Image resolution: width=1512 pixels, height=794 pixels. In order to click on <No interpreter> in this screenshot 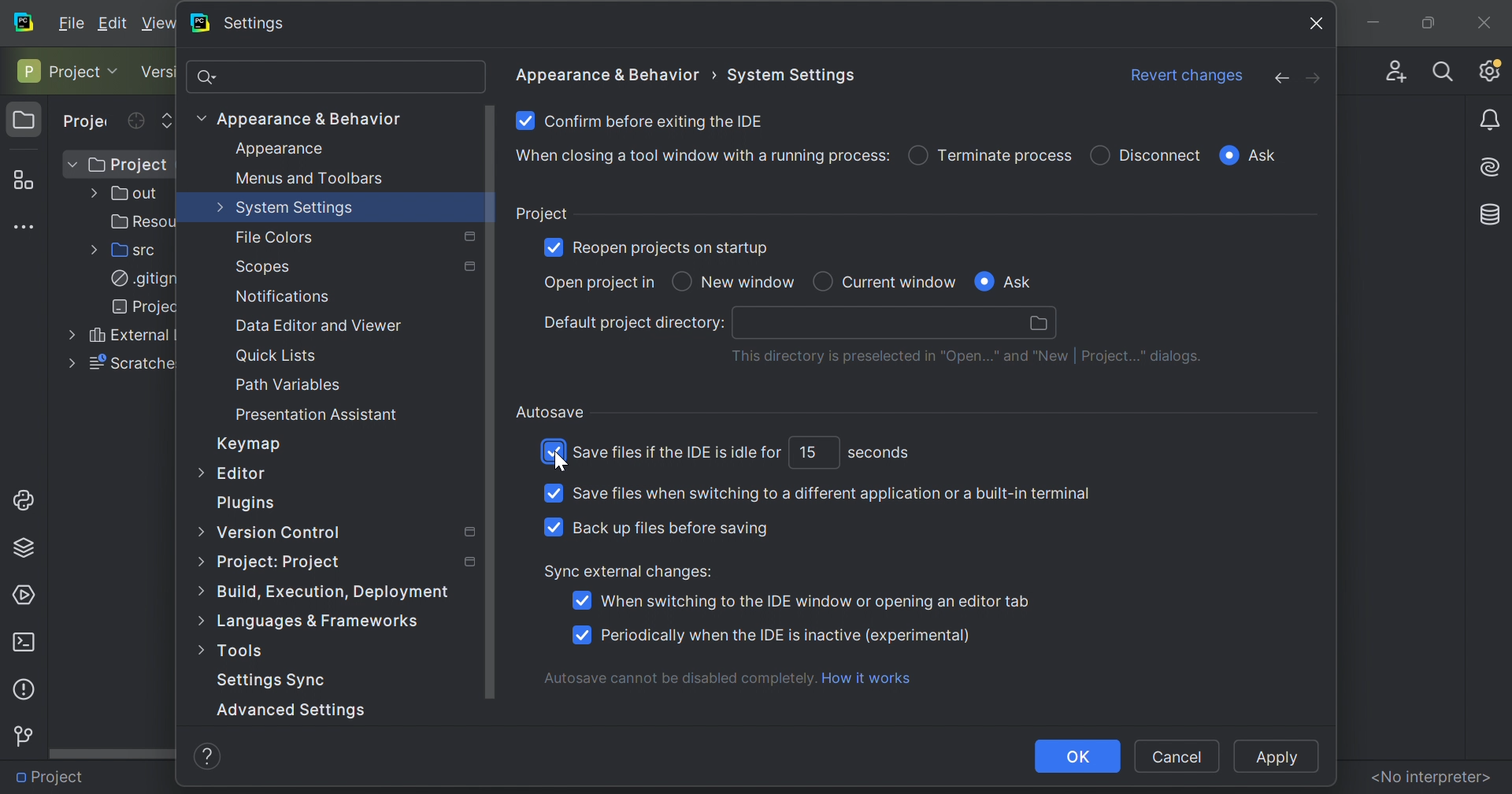, I will do `click(1430, 776)`.